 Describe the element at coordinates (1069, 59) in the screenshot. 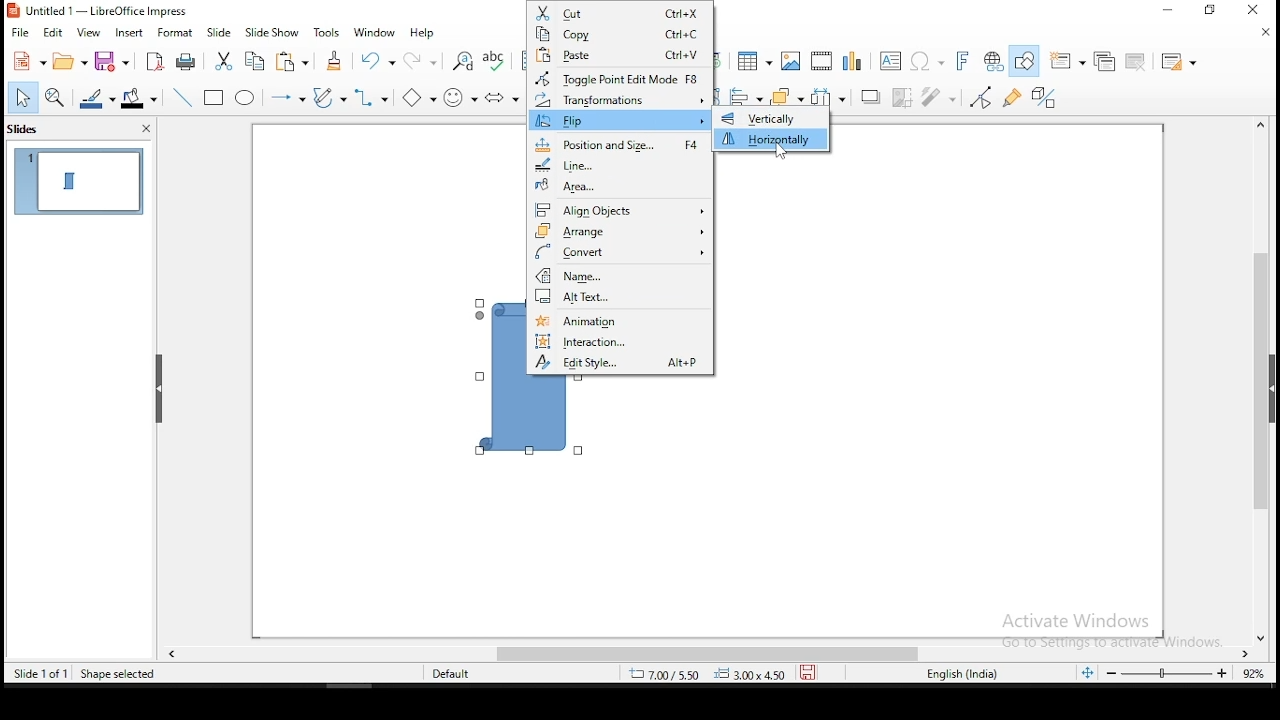

I see `new slide` at that location.